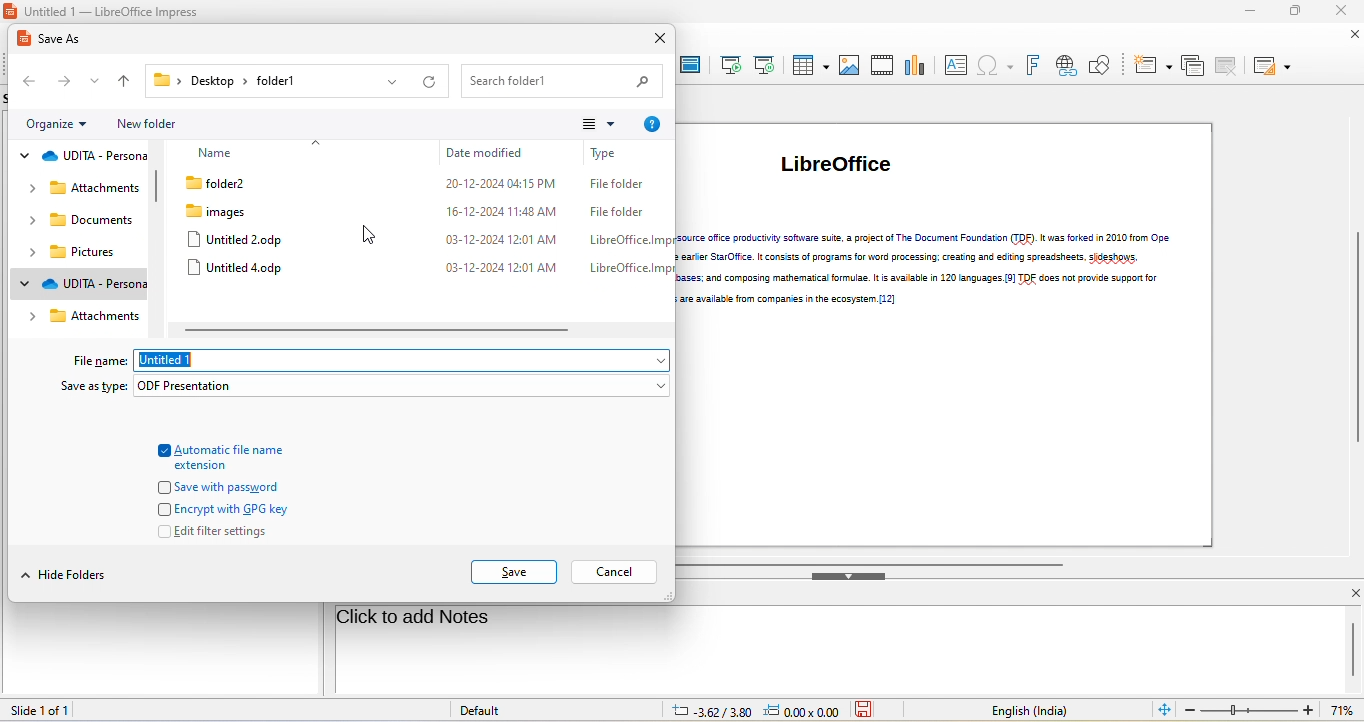  I want to click on cursor movement, so click(369, 235).